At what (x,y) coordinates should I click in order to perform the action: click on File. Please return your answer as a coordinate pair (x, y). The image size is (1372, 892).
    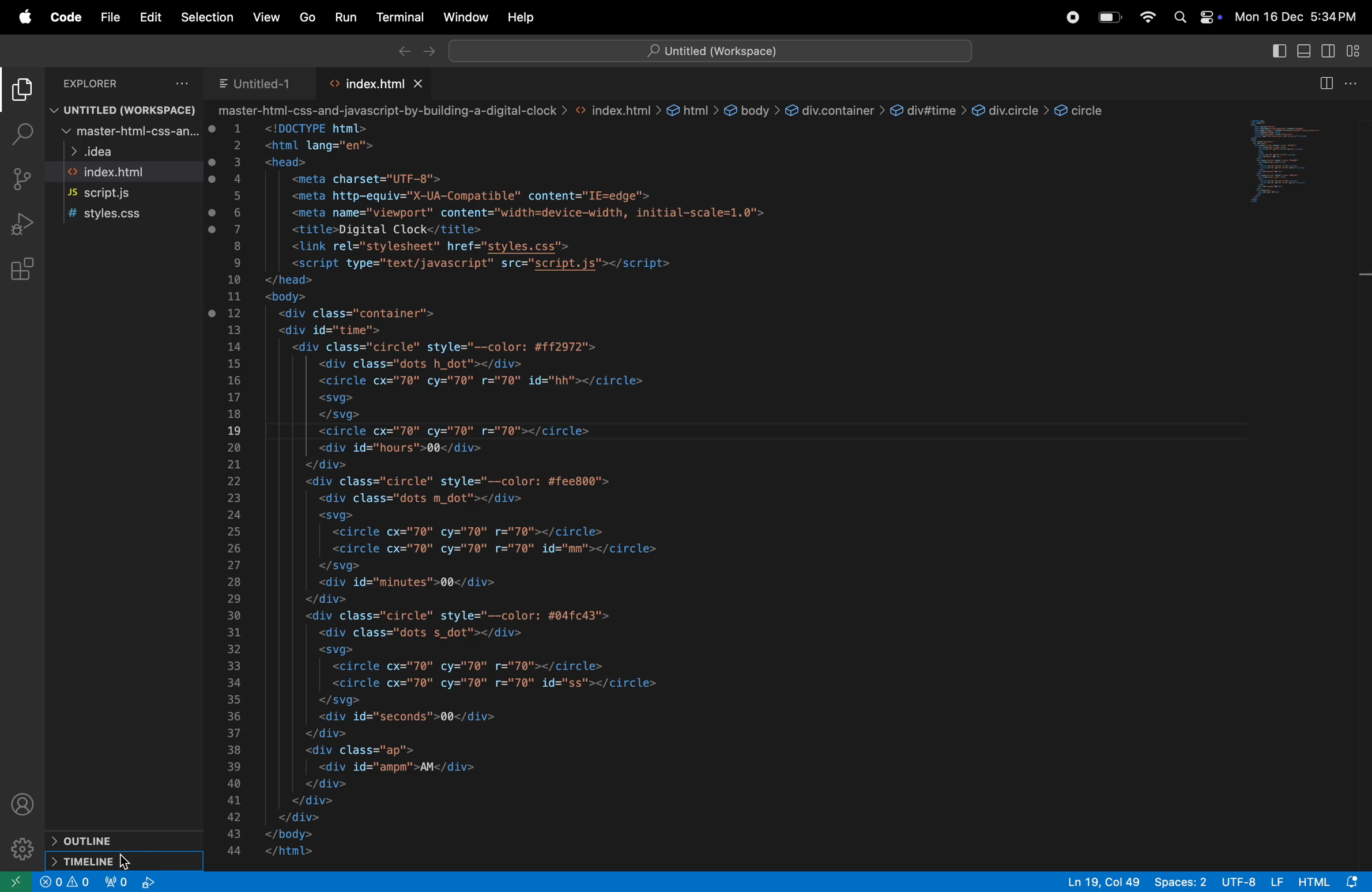
    Looking at the image, I should click on (107, 16).